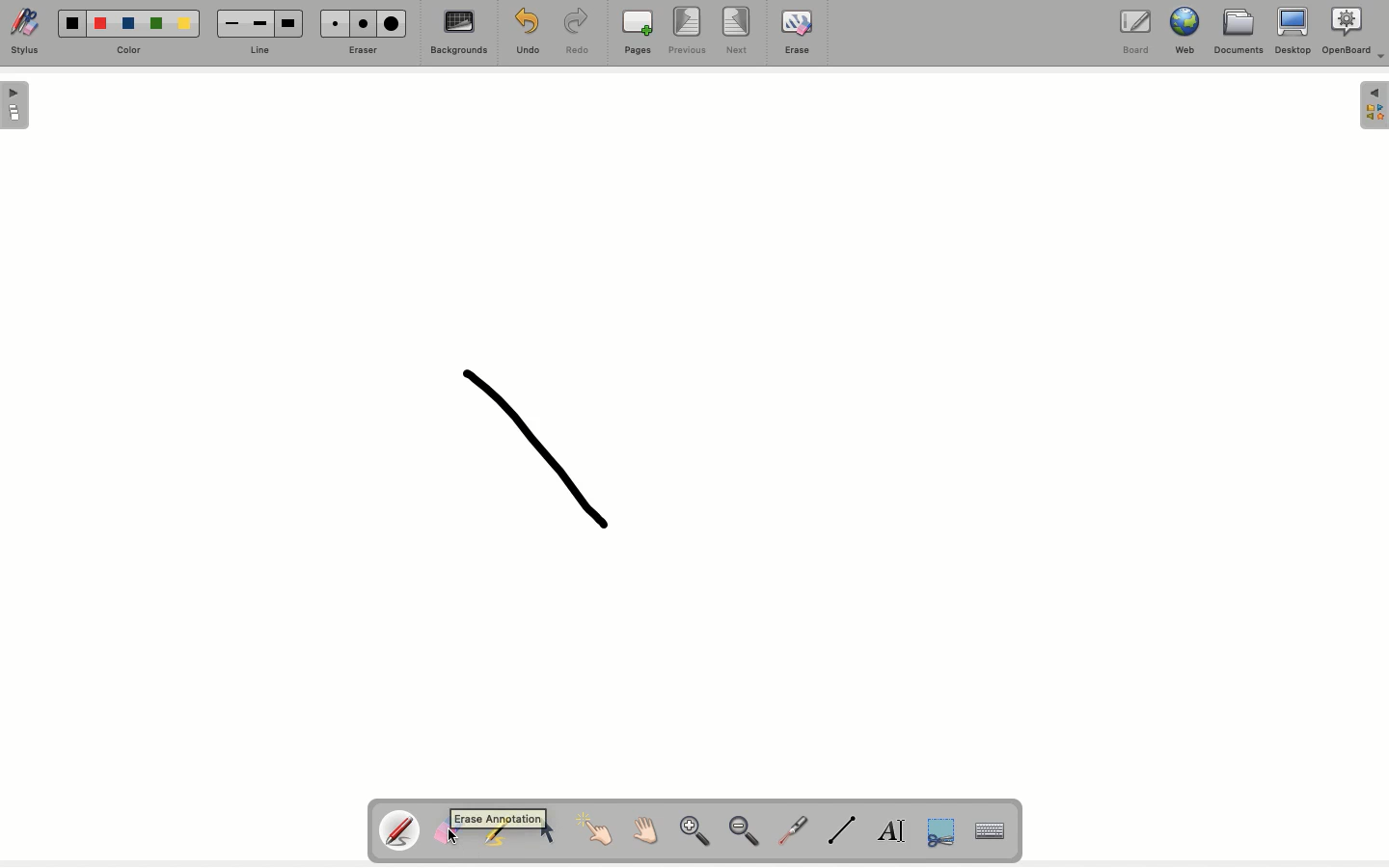 The height and width of the screenshot is (868, 1389). I want to click on Black, so click(73, 22).